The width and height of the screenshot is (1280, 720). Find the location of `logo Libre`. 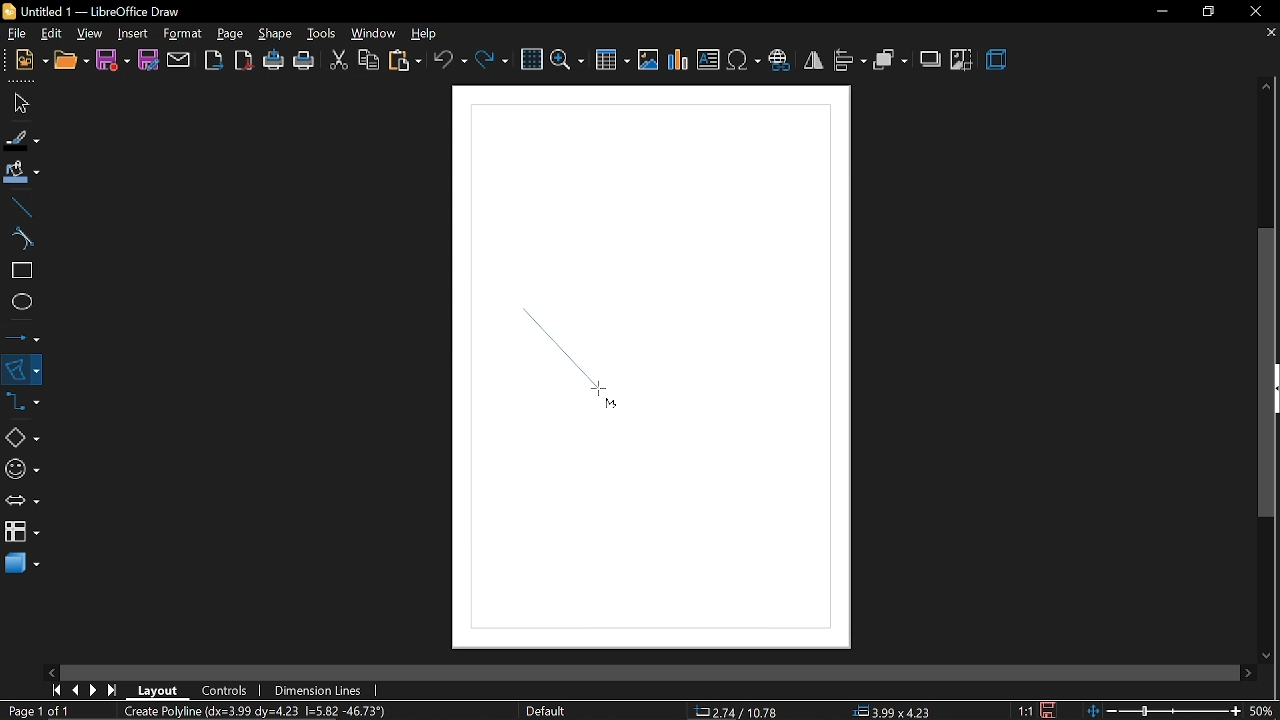

logo Libre is located at coordinates (11, 12).